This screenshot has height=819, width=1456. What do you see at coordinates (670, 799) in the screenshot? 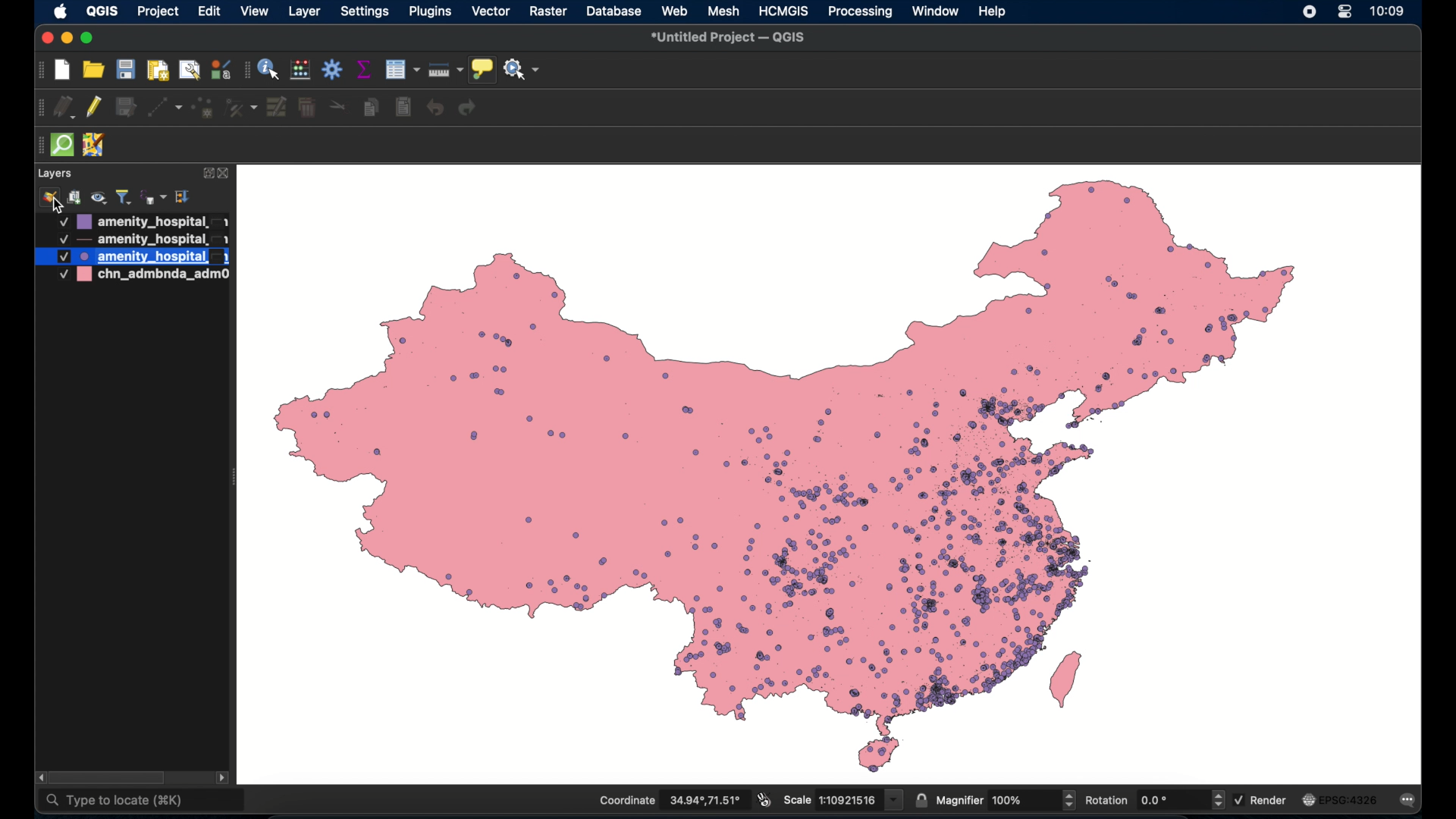
I see `coordinate` at bounding box center [670, 799].